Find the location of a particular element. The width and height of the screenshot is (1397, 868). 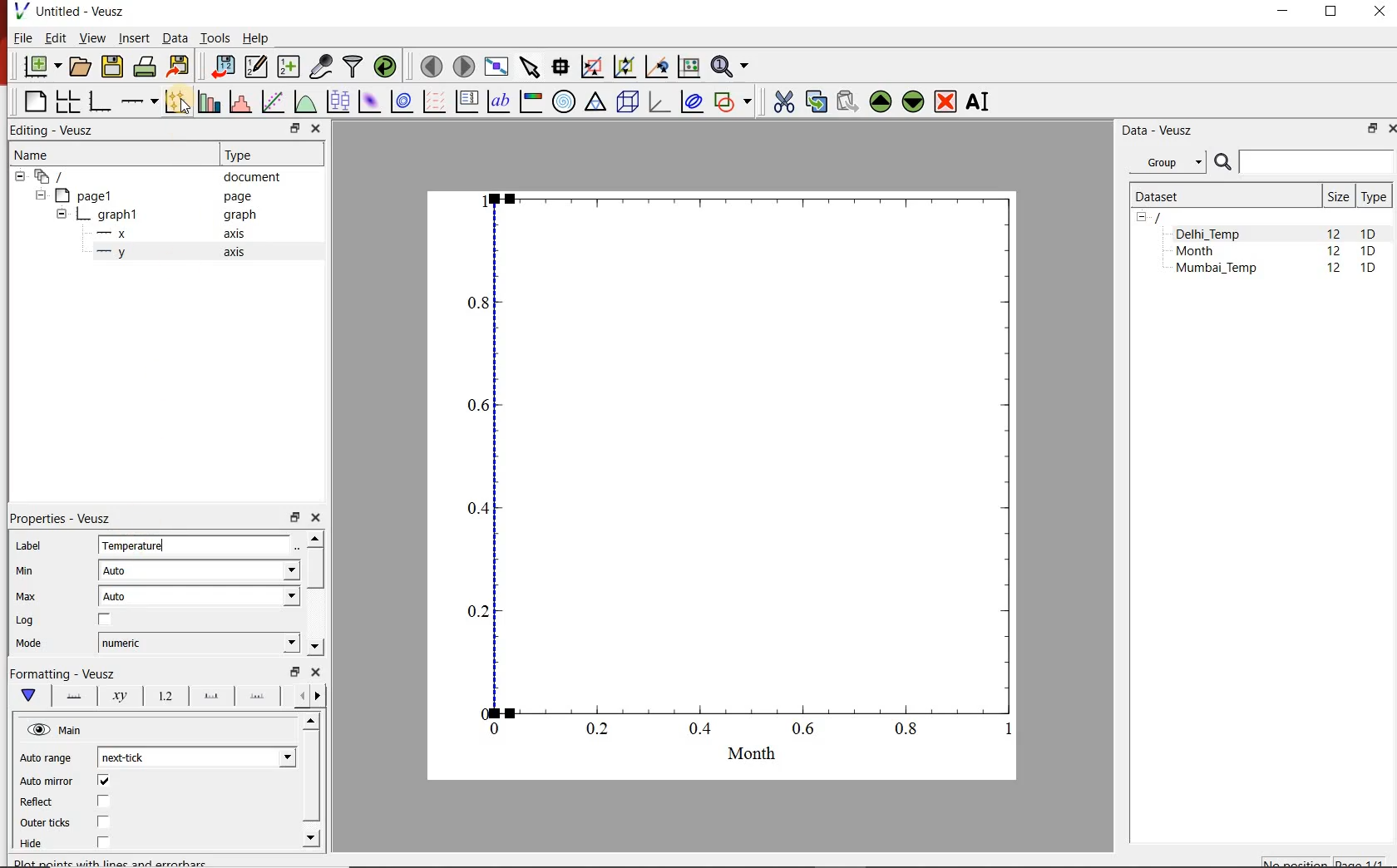

Add an axis to the plot is located at coordinates (137, 101).